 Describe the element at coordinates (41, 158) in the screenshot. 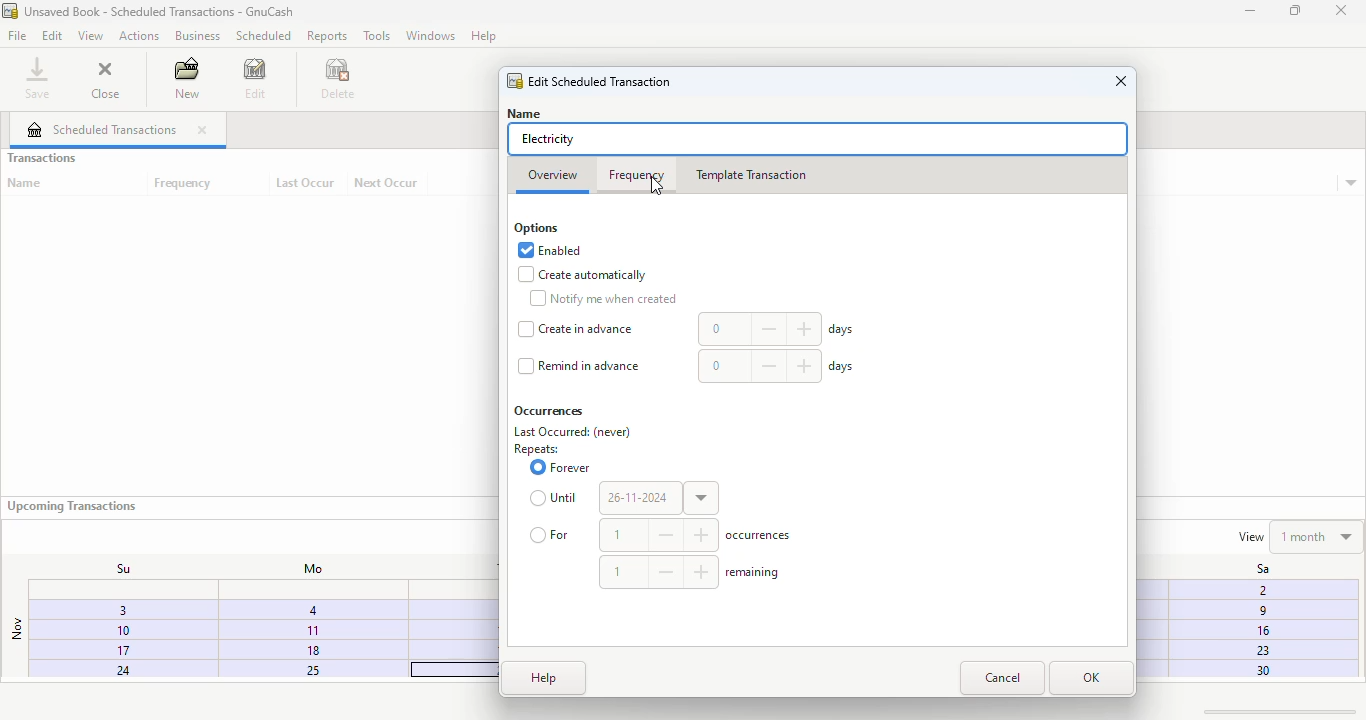

I see `transactions` at that location.